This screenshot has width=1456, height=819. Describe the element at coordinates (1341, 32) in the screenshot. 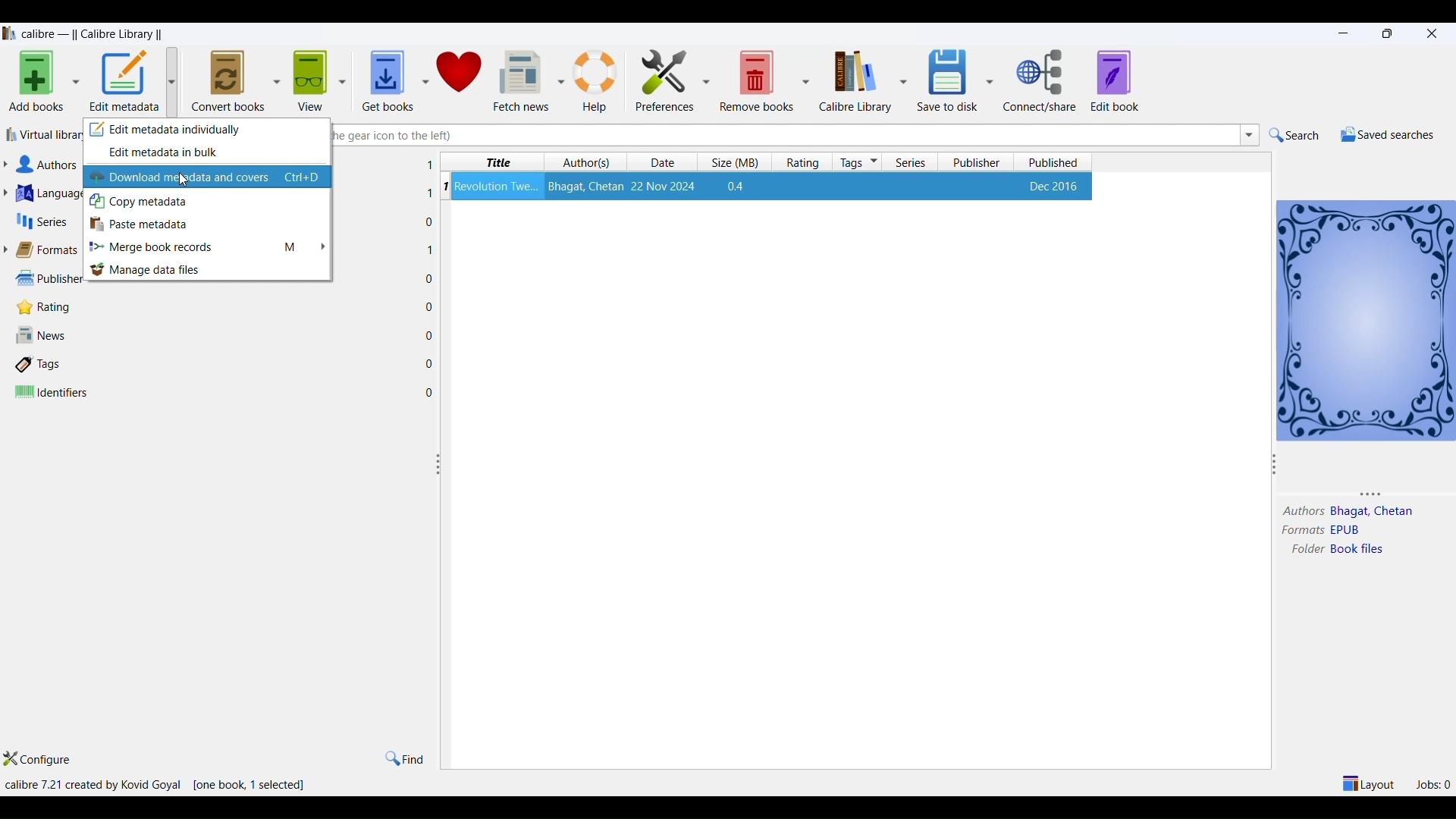

I see `minimize` at that location.